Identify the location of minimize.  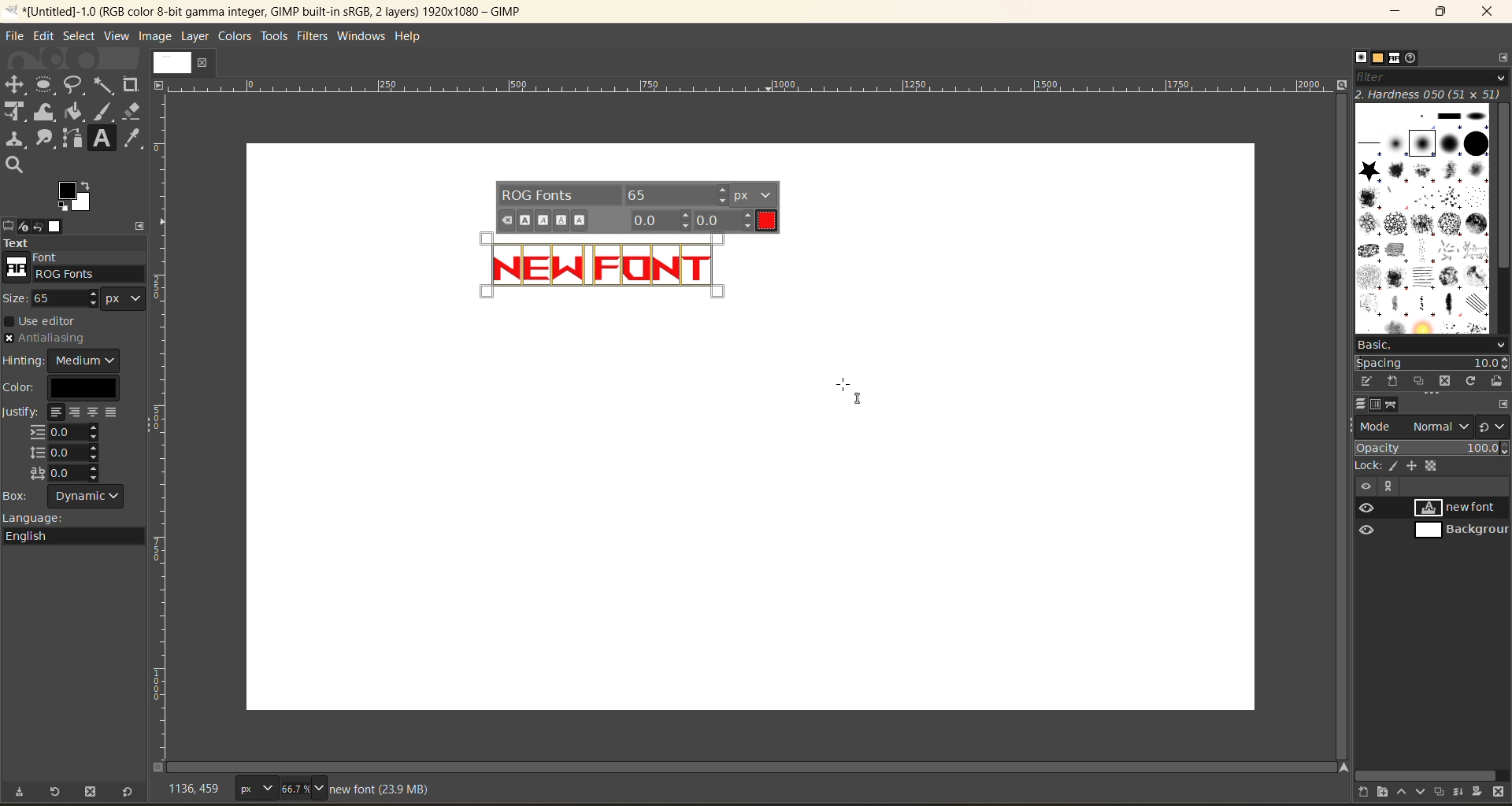
(1397, 12).